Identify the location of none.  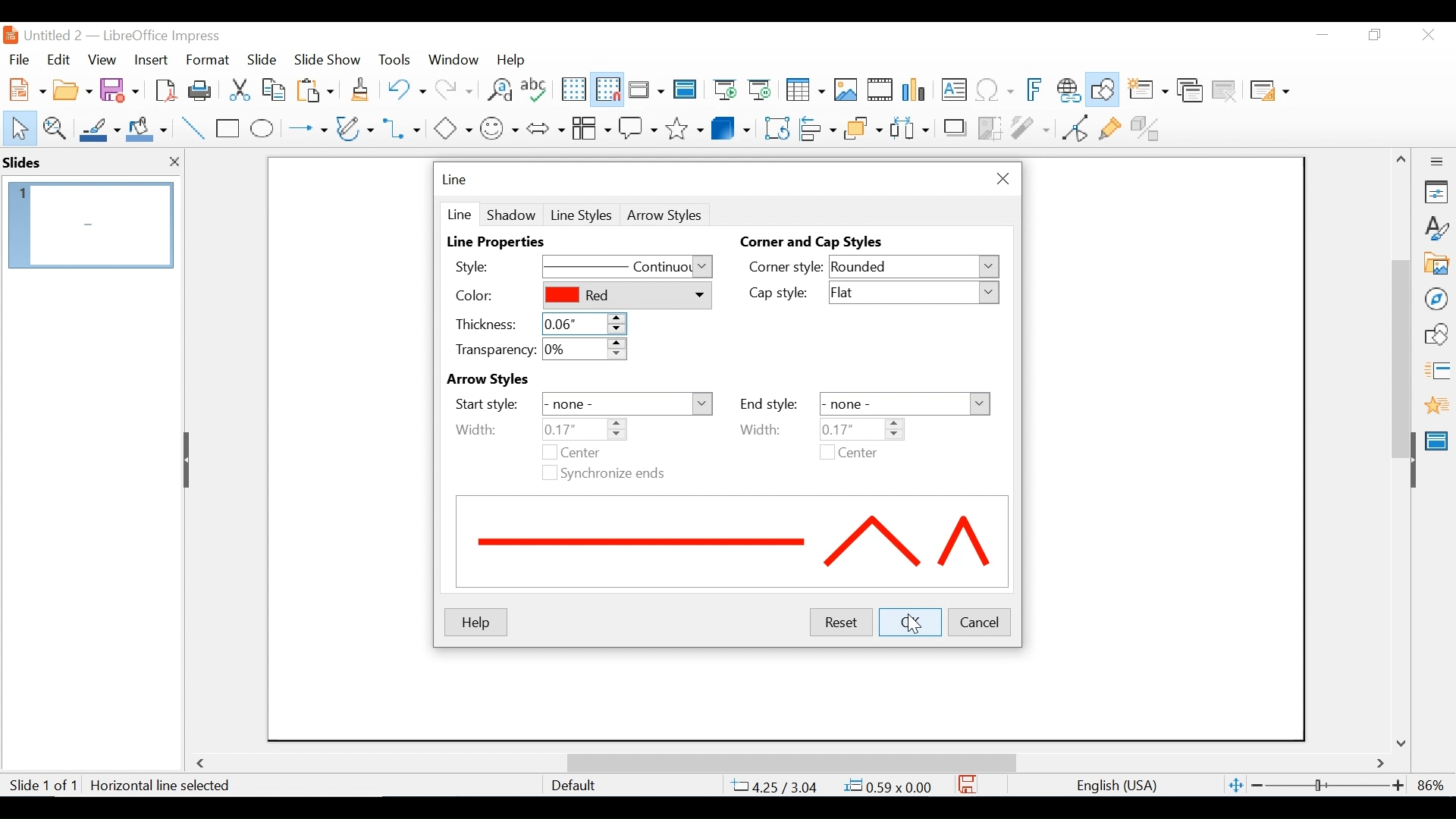
(627, 405).